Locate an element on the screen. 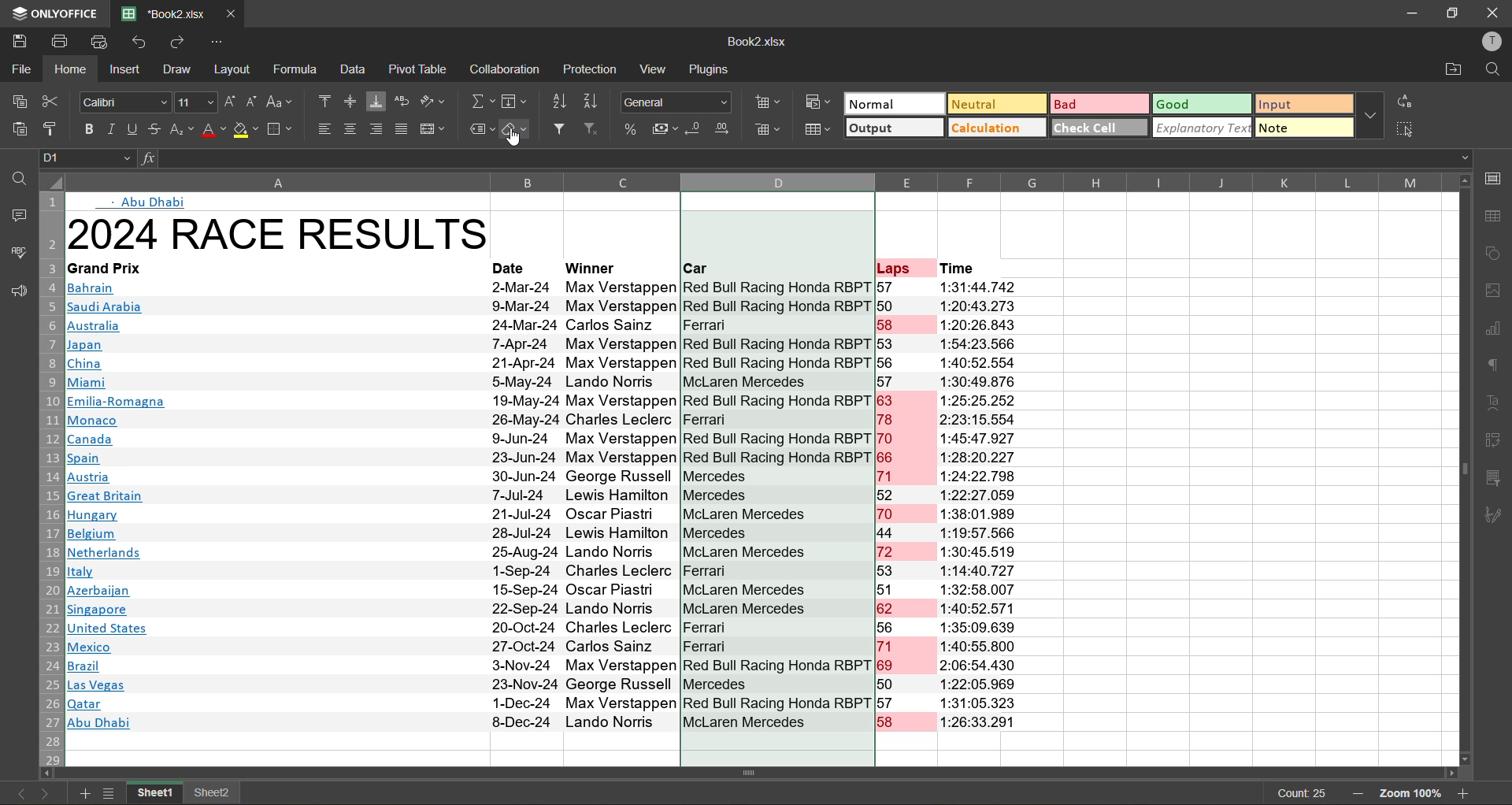  clear filter is located at coordinates (592, 129).